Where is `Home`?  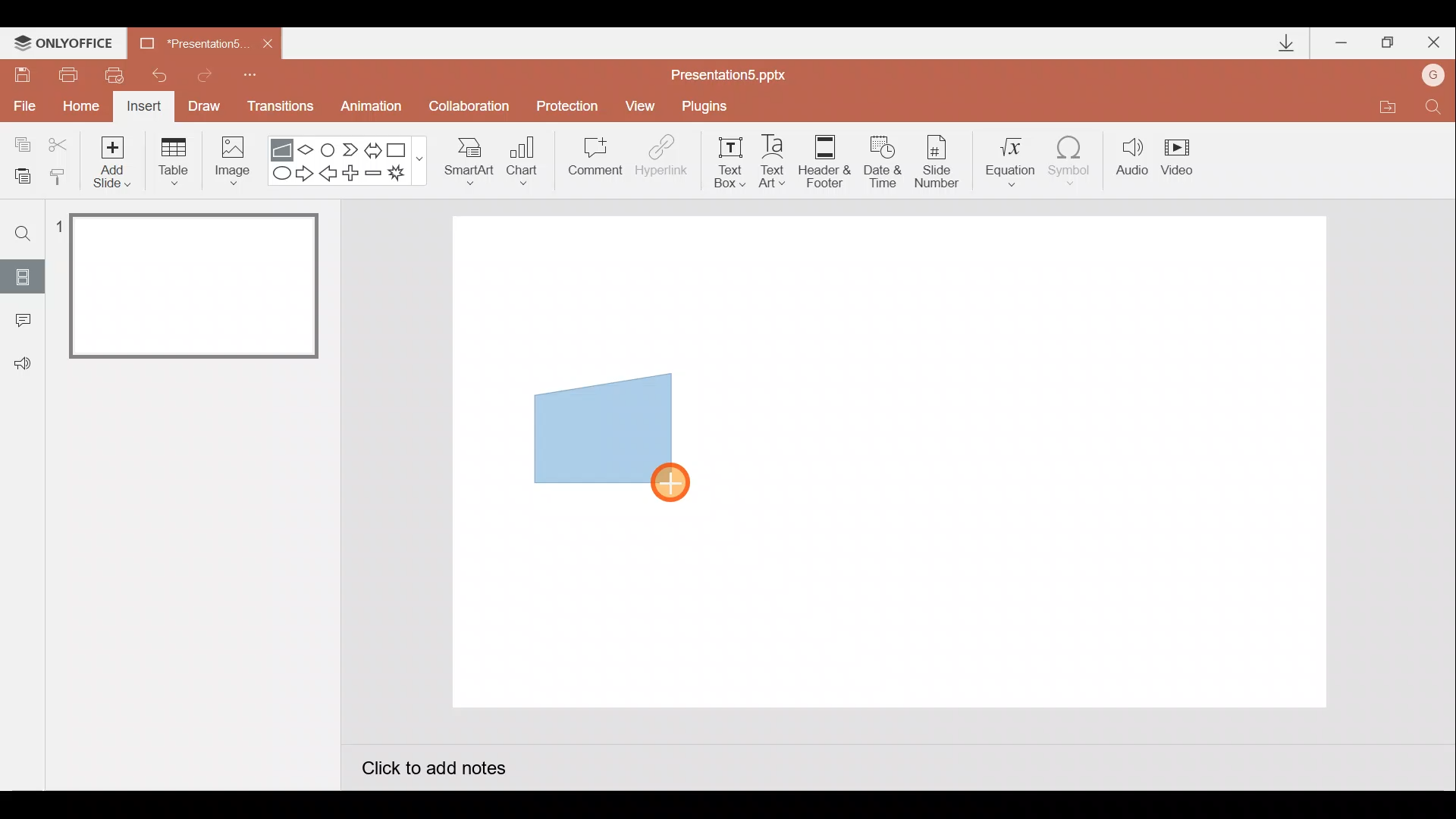 Home is located at coordinates (77, 102).